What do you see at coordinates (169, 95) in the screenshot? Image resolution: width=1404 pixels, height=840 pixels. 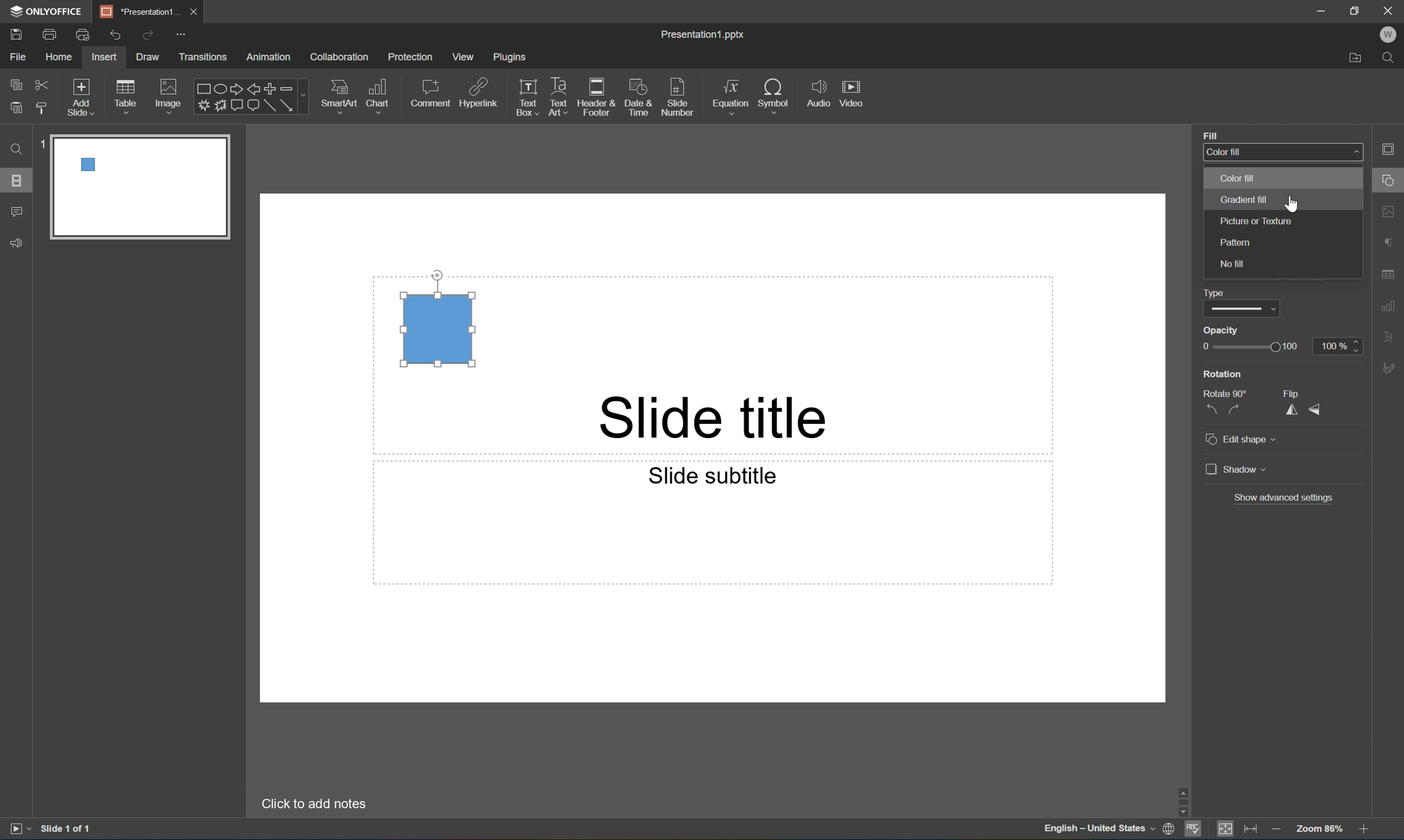 I see `Image` at bounding box center [169, 95].